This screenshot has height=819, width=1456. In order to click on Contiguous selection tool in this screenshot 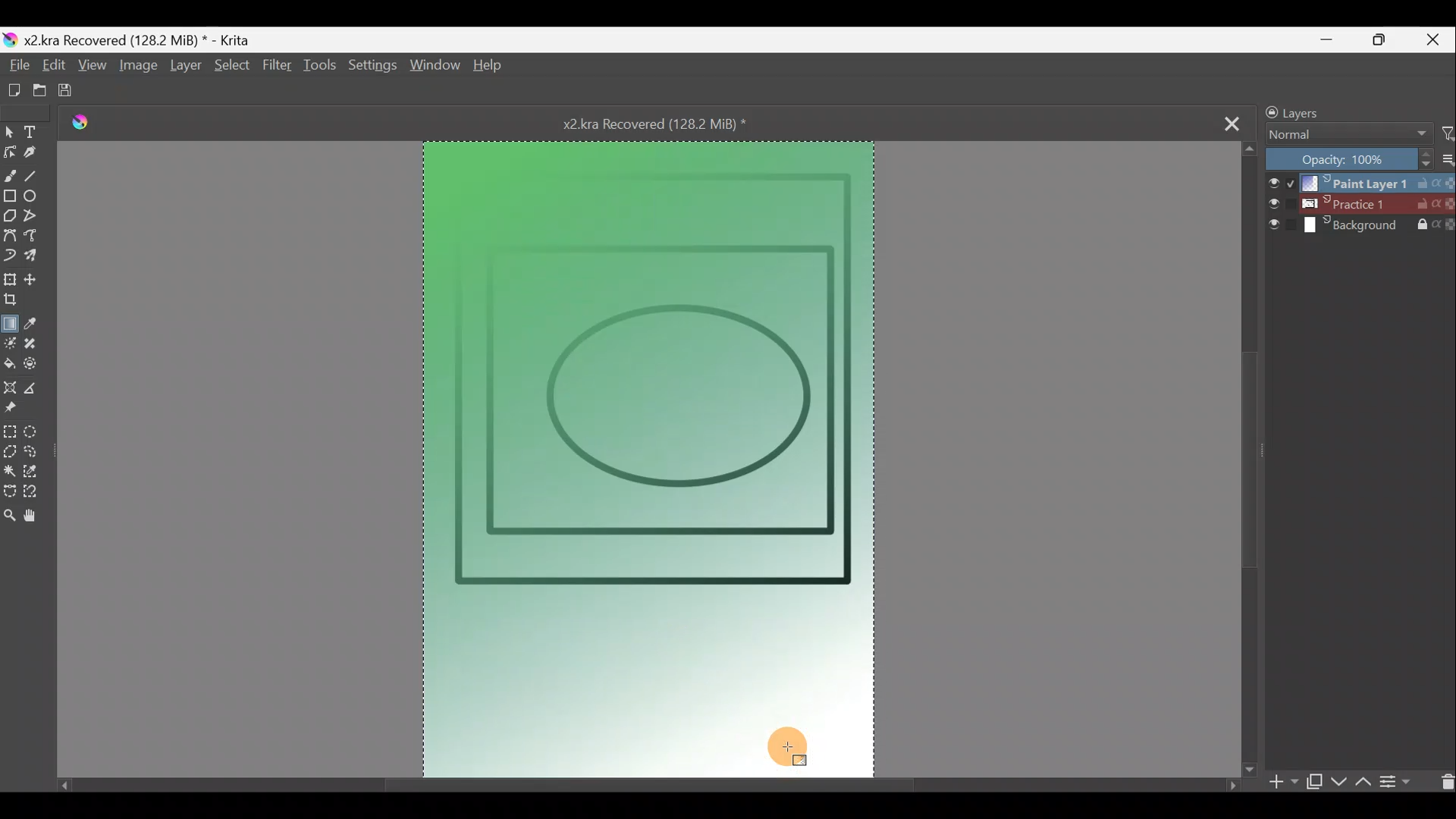, I will do `click(10, 472)`.